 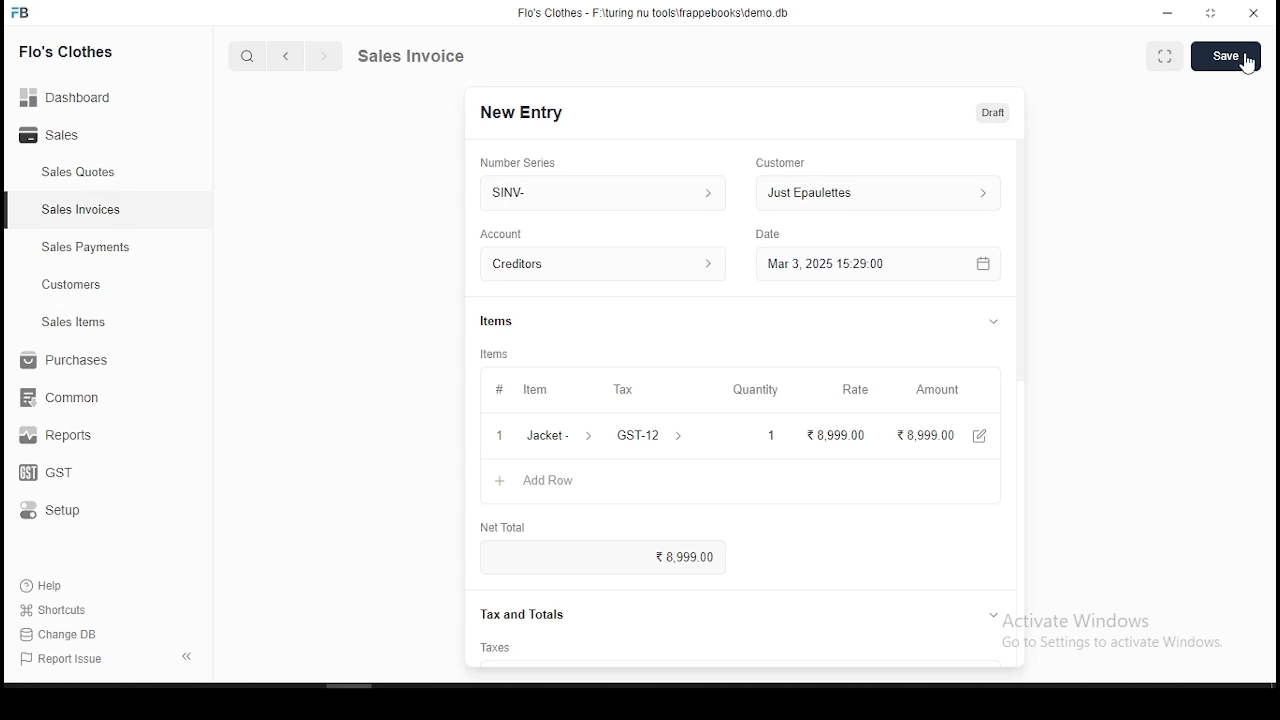 What do you see at coordinates (1212, 13) in the screenshot?
I see `maximize` at bounding box center [1212, 13].